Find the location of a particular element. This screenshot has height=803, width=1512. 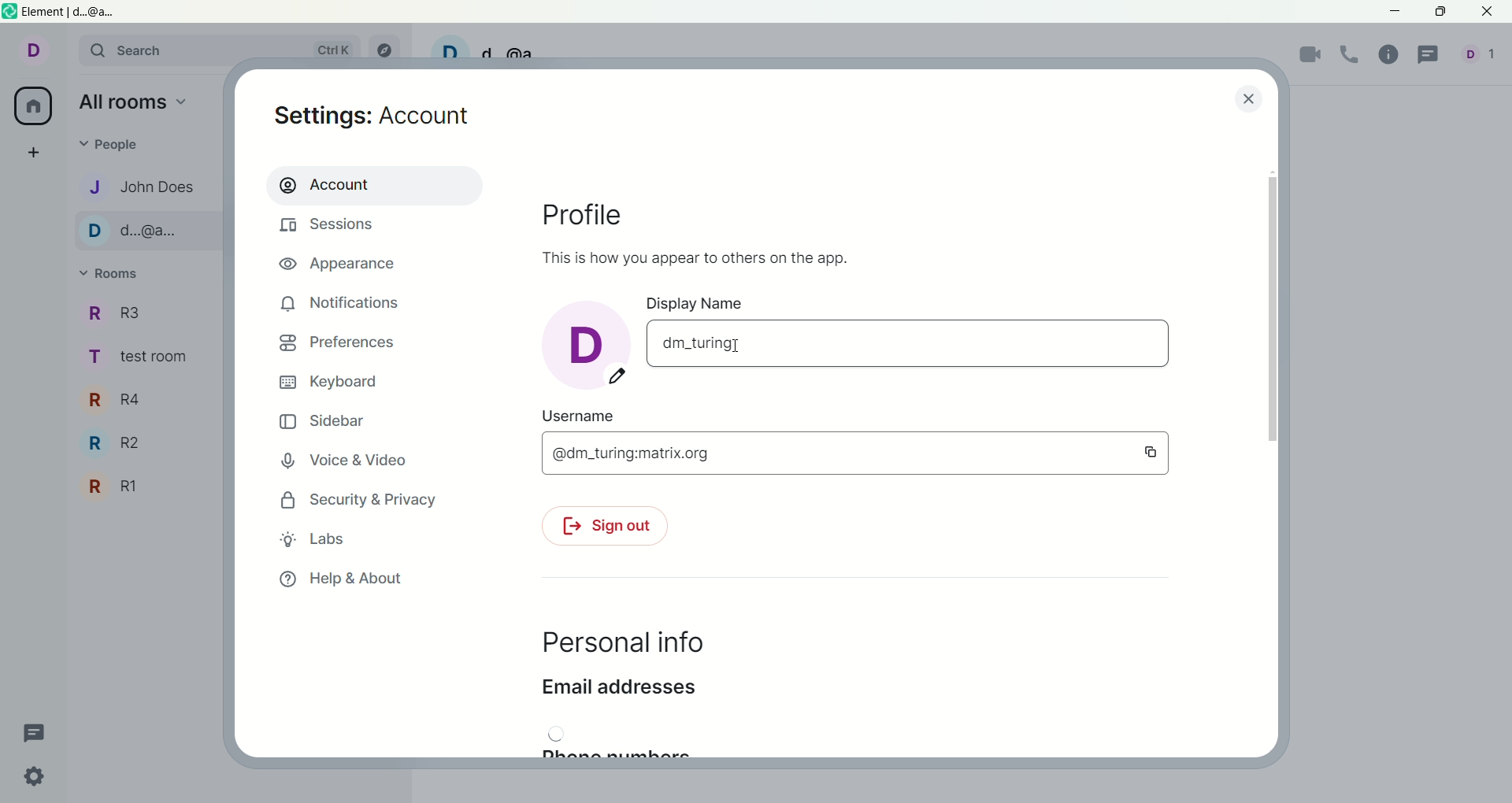

voice and video is located at coordinates (353, 462).